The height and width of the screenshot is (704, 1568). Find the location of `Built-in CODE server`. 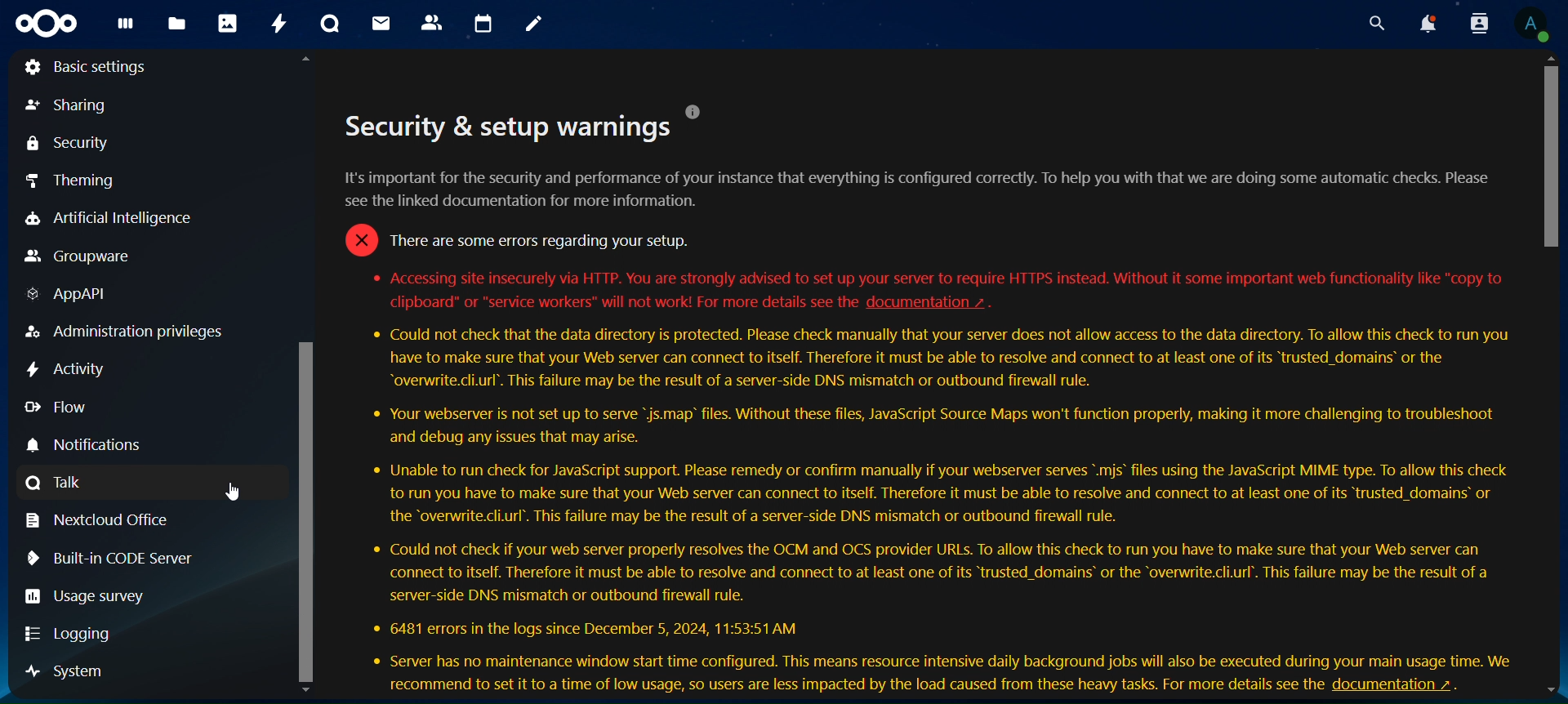

Built-in CODE server is located at coordinates (108, 563).